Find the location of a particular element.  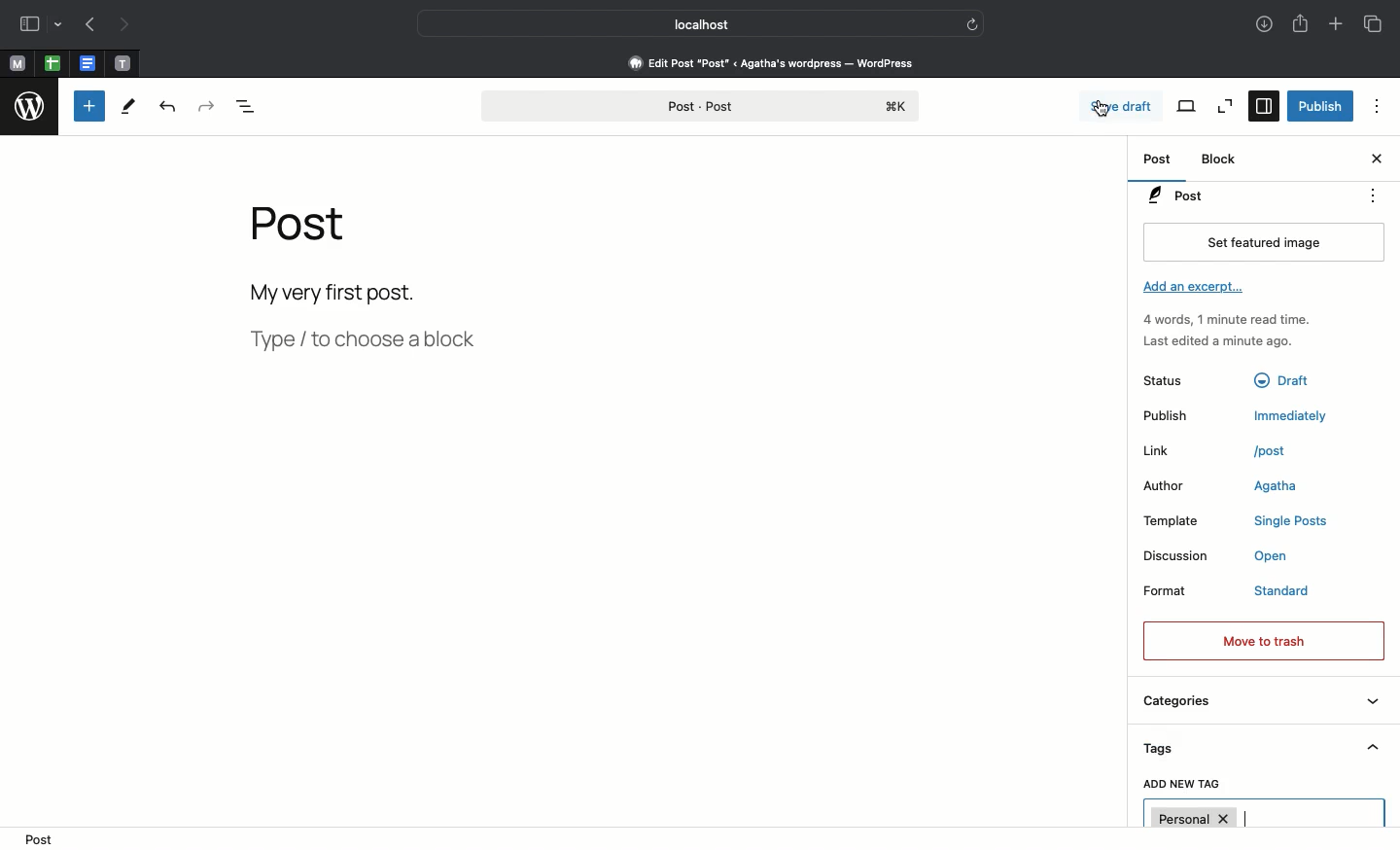

Local host is located at coordinates (690, 23).